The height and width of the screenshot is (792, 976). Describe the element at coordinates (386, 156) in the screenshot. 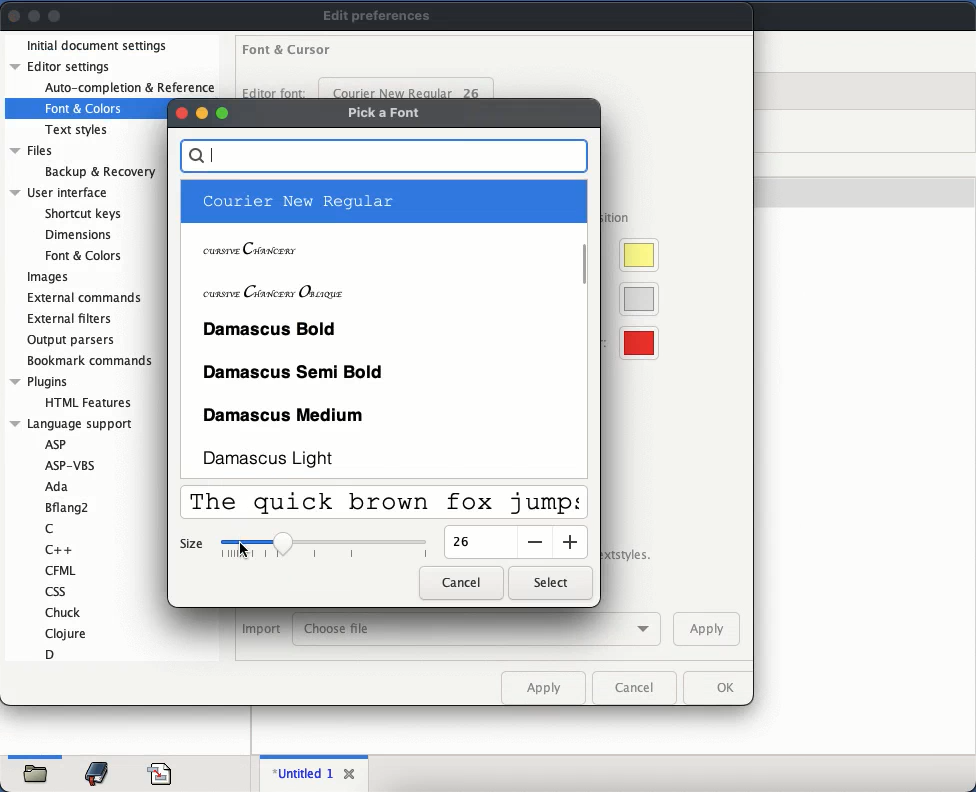

I see `search` at that location.